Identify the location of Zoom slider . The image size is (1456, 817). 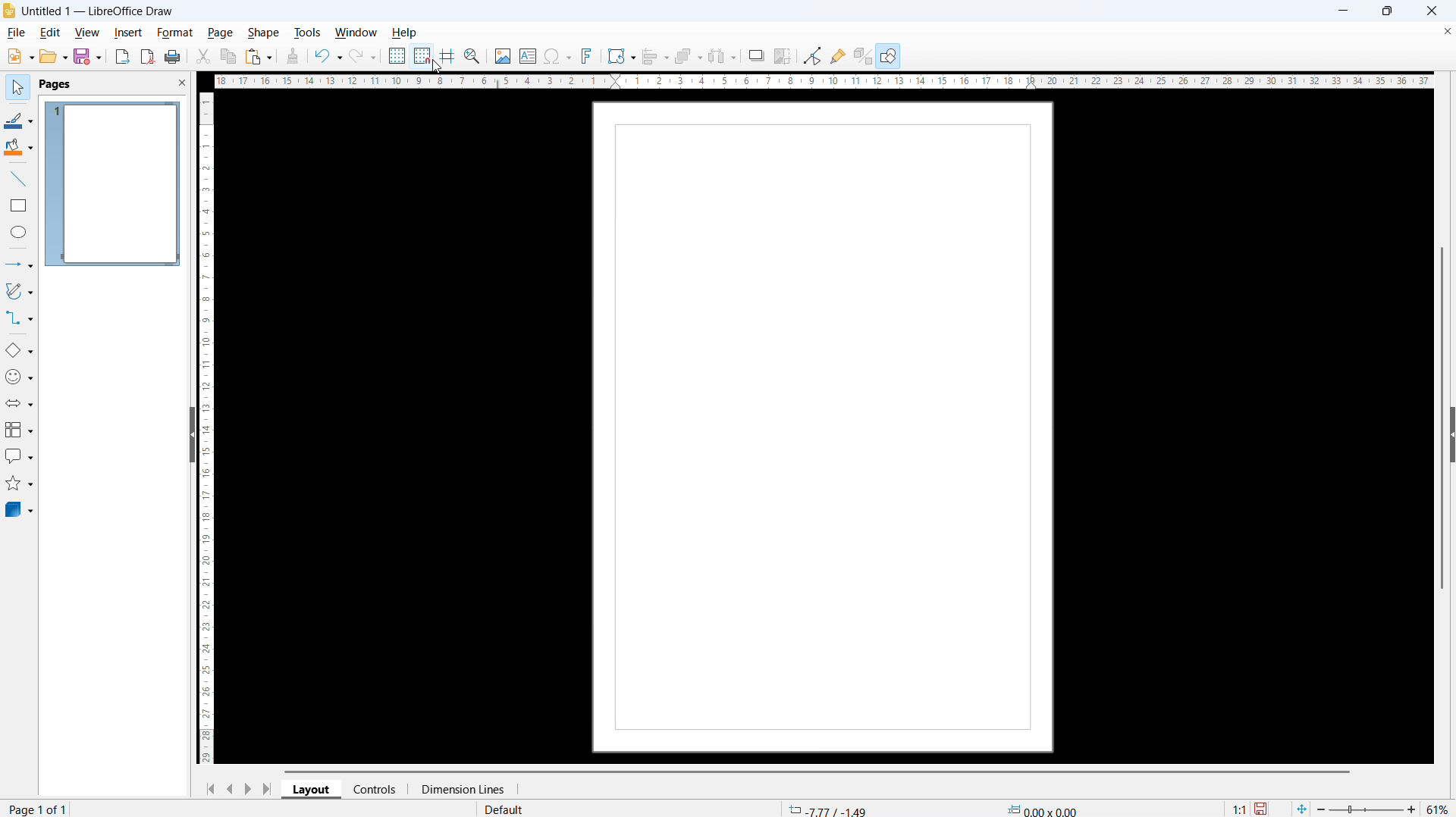
(1364, 808).